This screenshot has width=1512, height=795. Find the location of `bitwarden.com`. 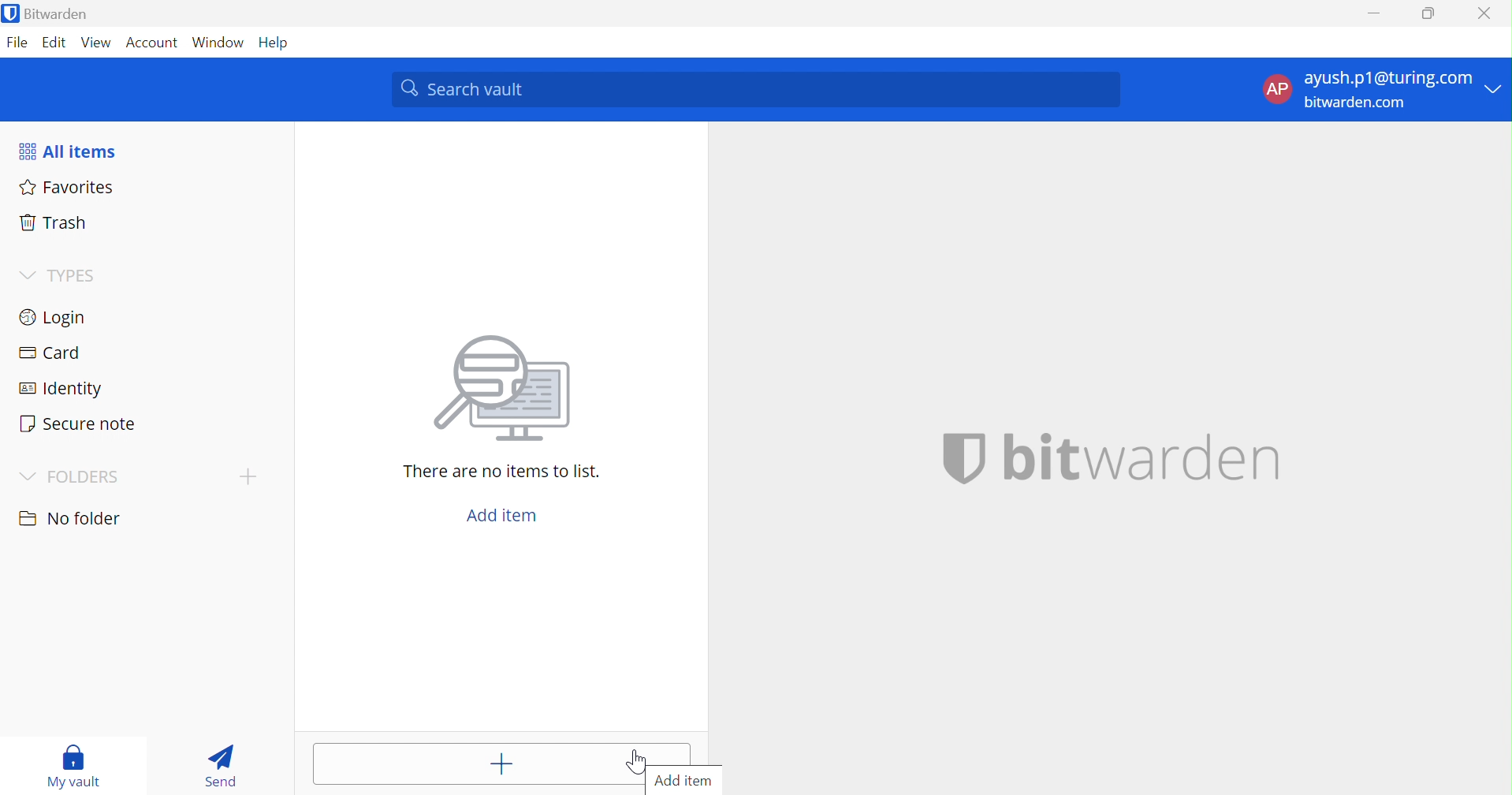

bitwarden.com is located at coordinates (1362, 104).